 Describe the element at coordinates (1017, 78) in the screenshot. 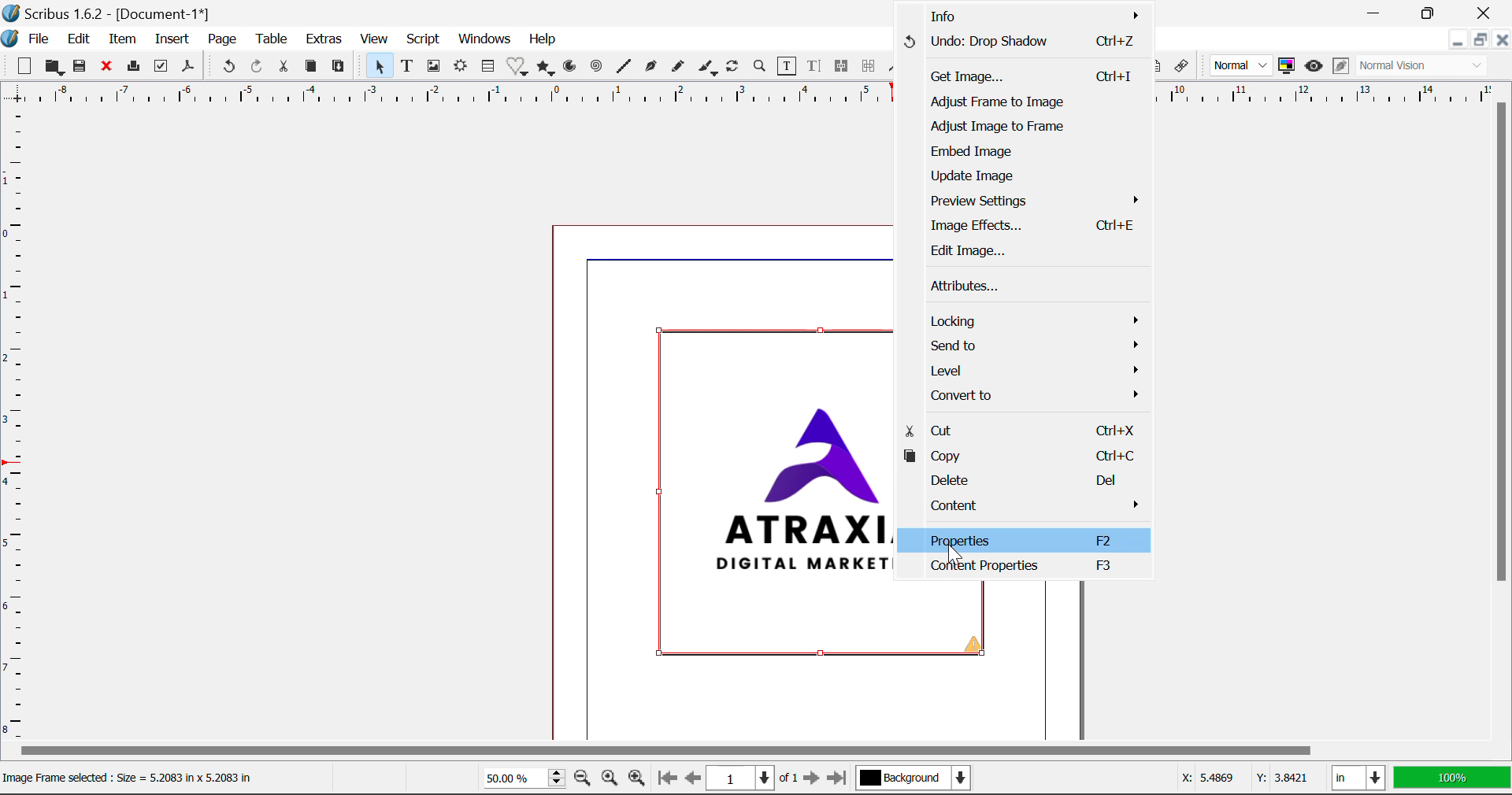

I see `Get Image` at that location.